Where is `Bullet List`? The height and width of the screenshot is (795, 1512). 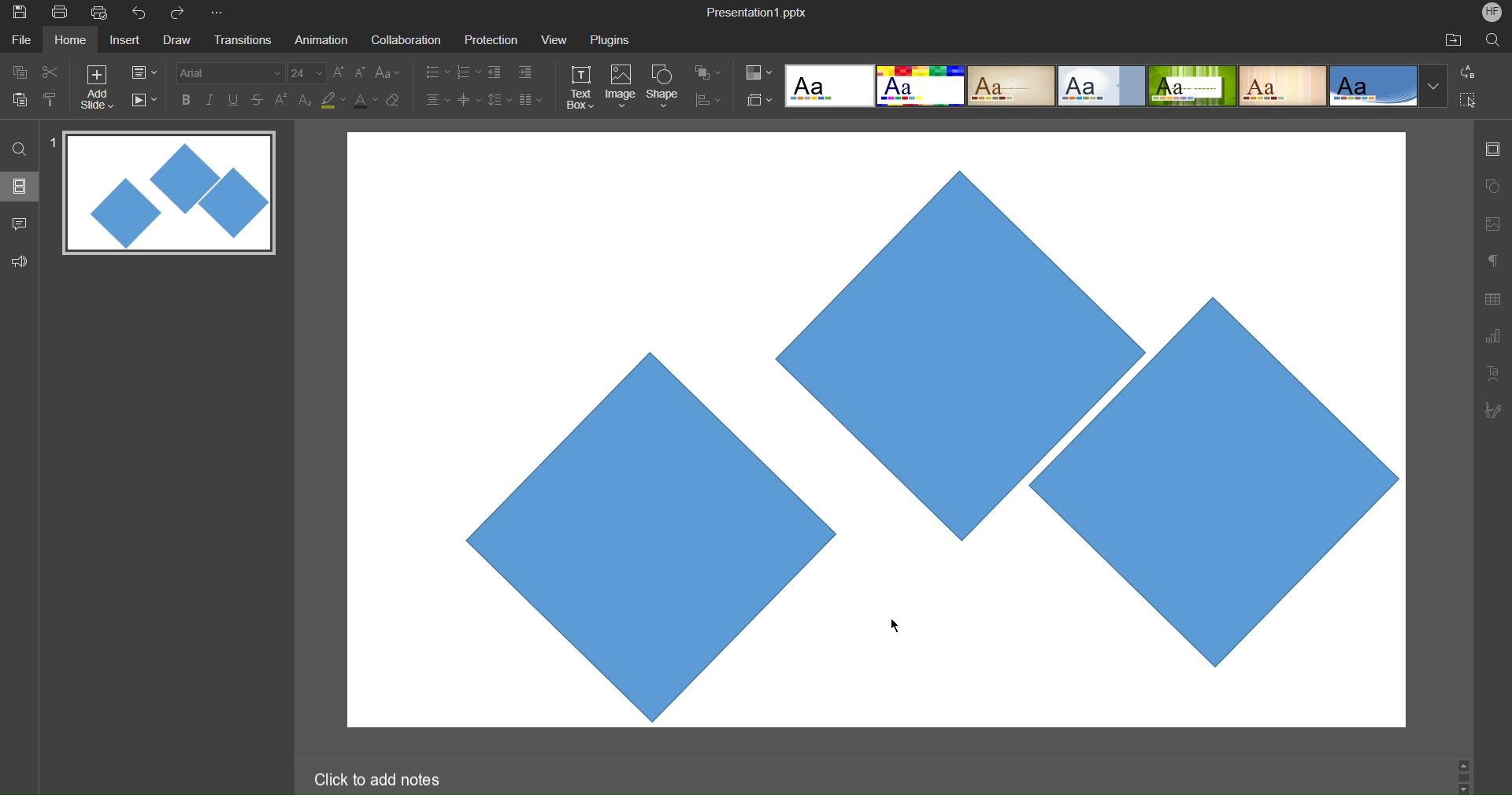 Bullet List is located at coordinates (436, 73).